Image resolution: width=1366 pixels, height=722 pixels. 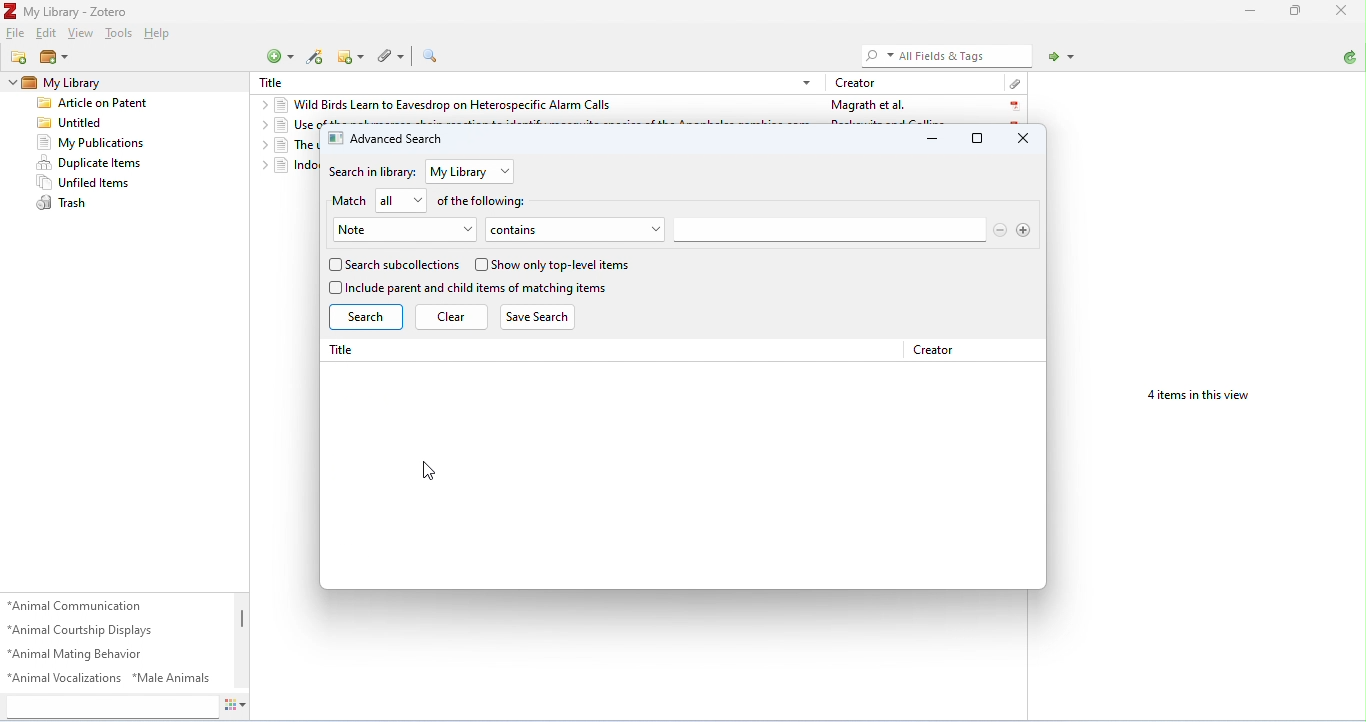 I want to click on cursor, so click(x=431, y=469).